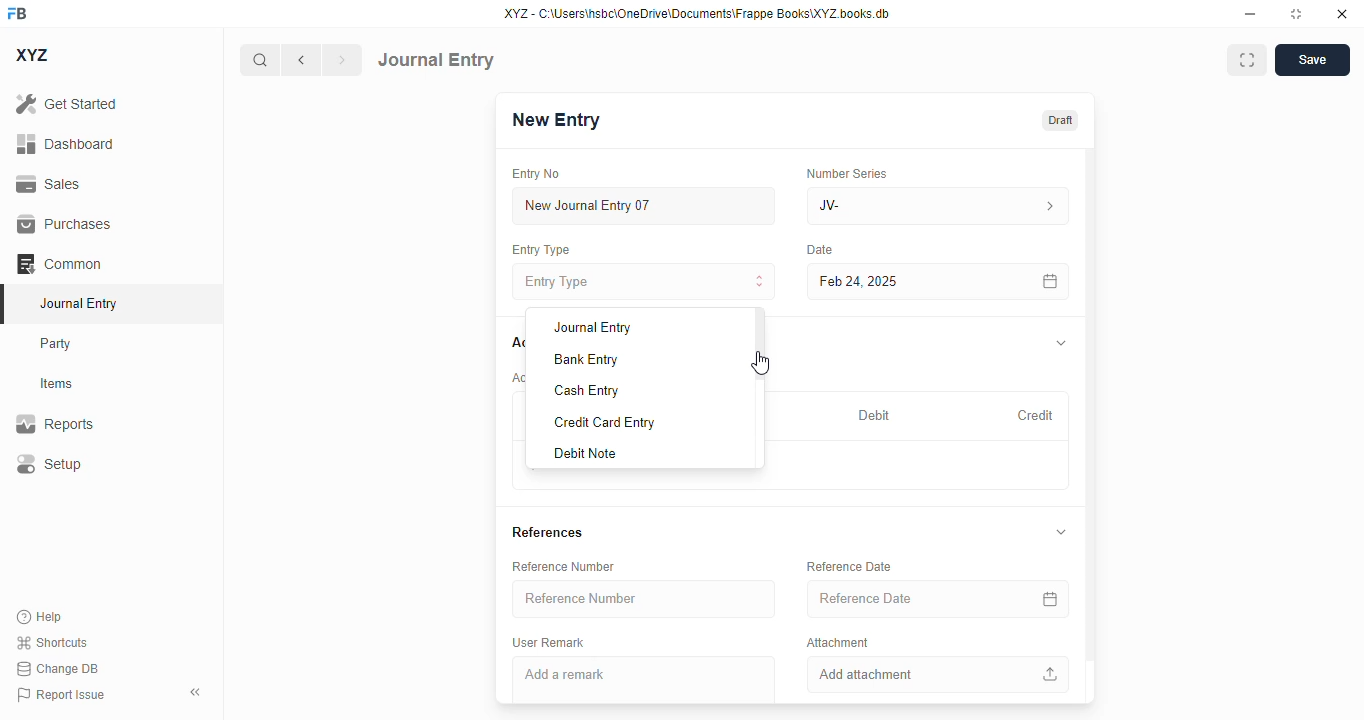 The width and height of the screenshot is (1364, 720). I want to click on debit, so click(875, 415).